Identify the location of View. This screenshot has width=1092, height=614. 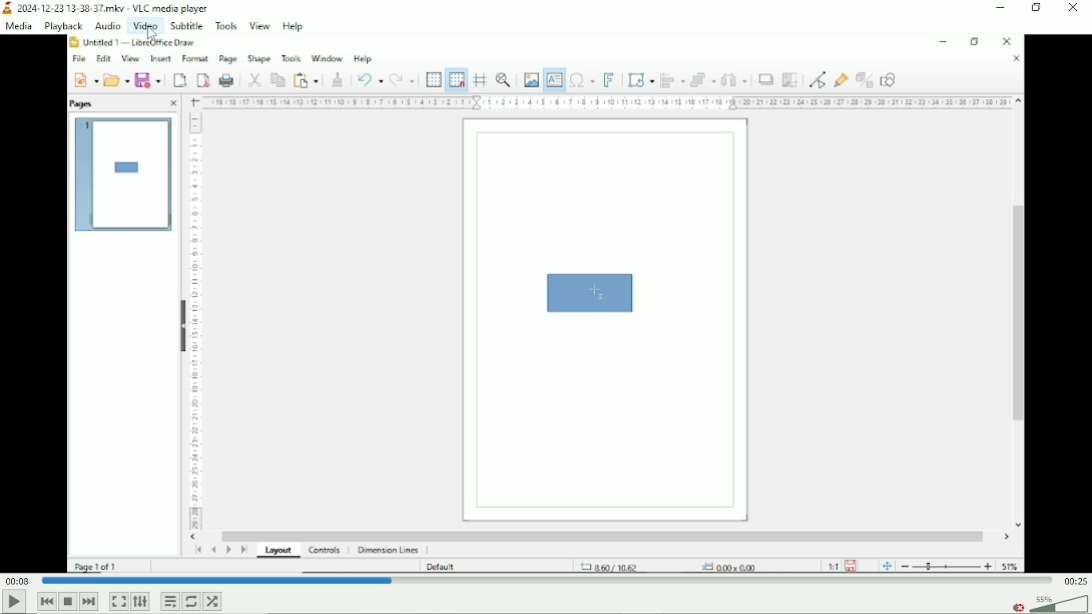
(260, 26).